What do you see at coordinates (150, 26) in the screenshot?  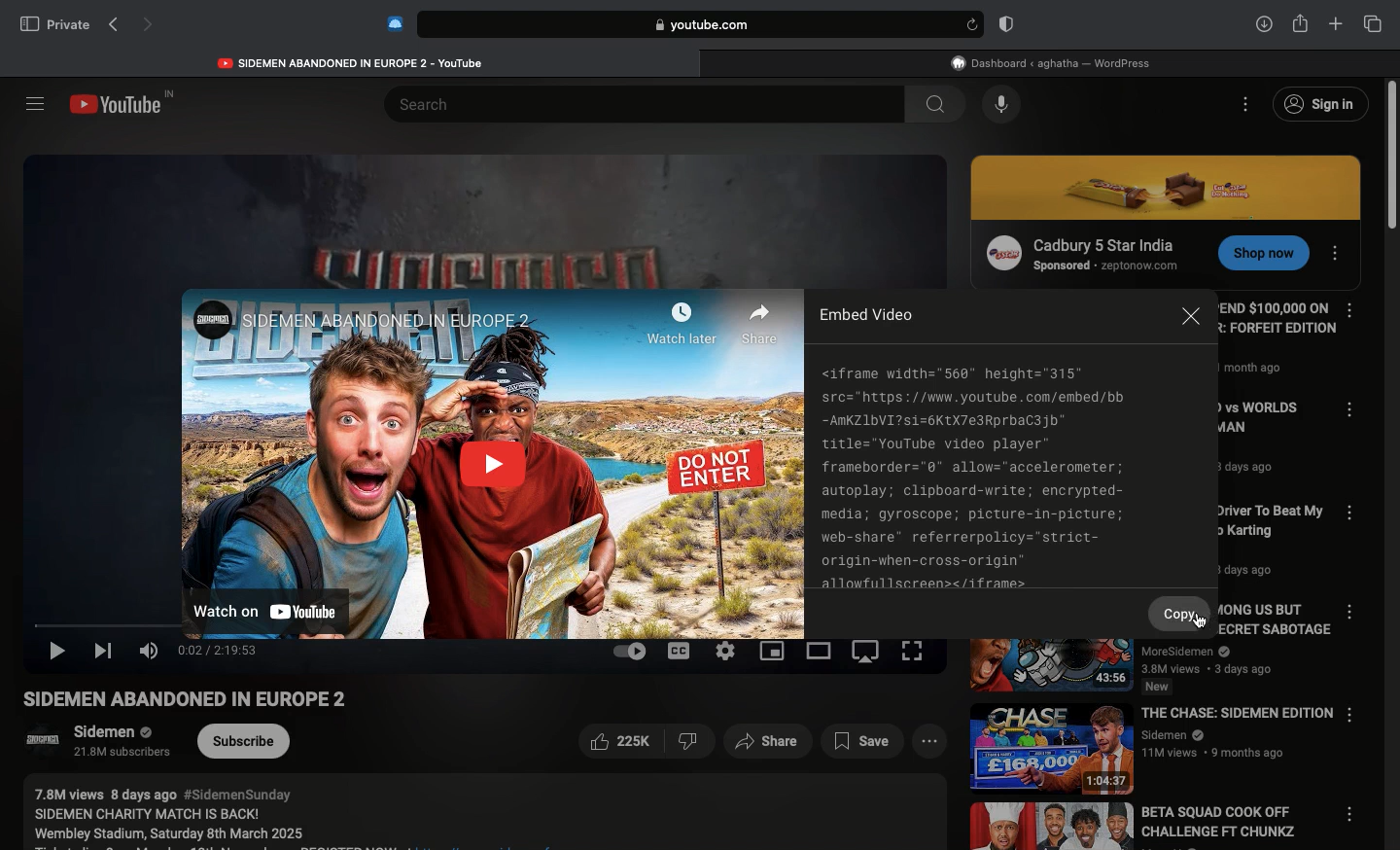 I see `Next page` at bounding box center [150, 26].